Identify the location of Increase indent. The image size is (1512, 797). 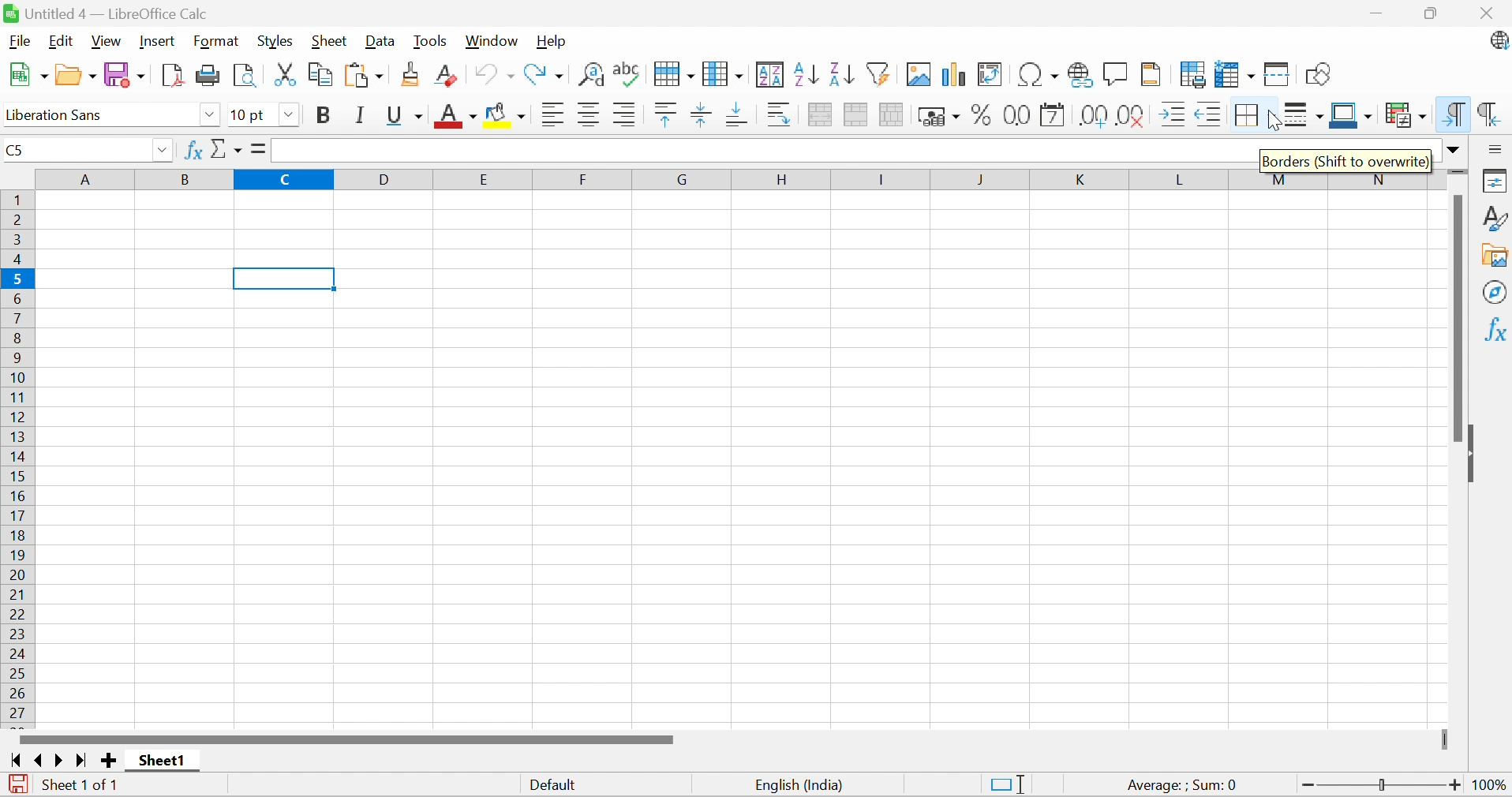
(1173, 114).